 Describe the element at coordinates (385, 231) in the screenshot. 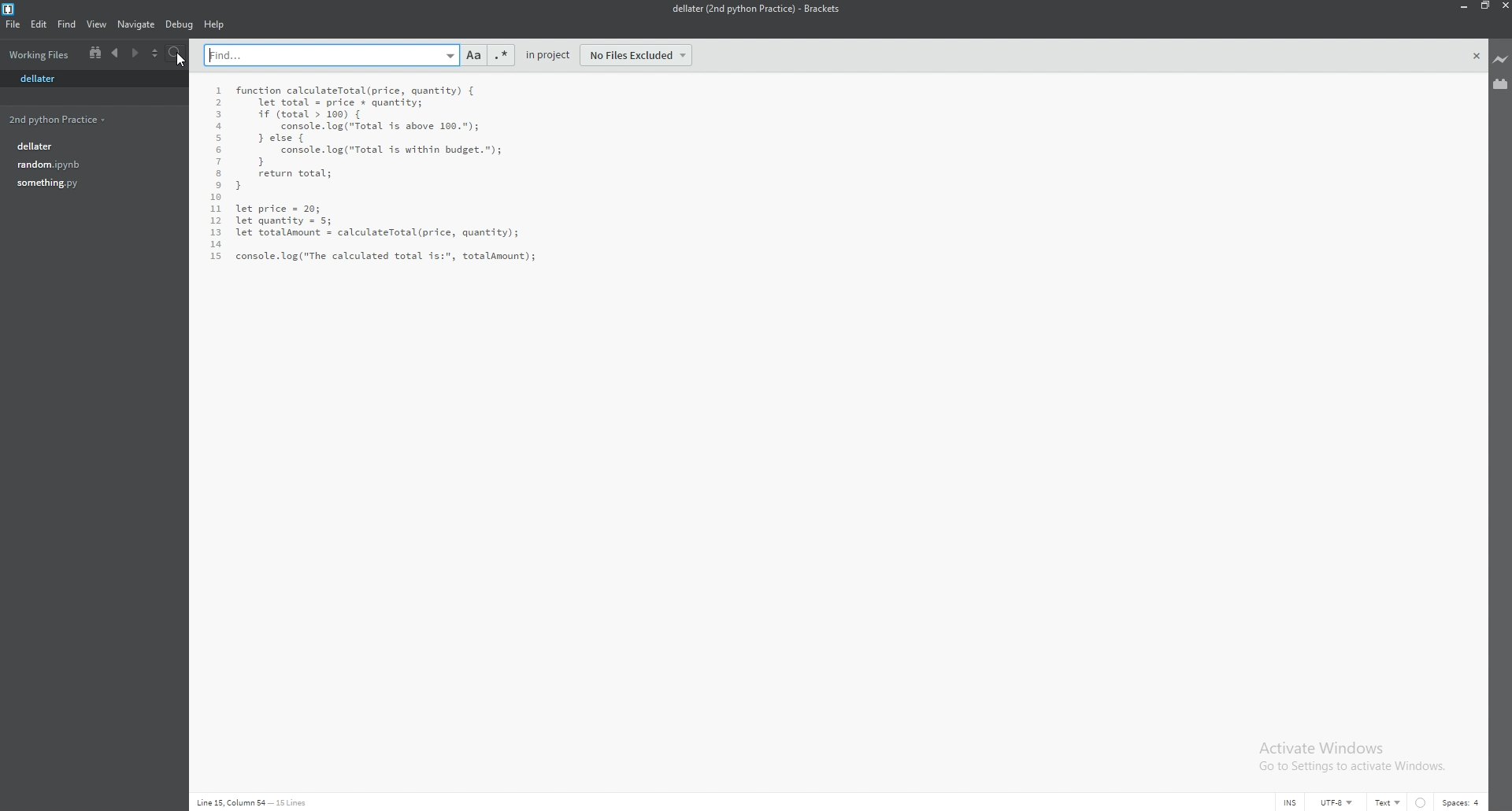

I see `let price = 20;let quantity = 5;let totalamount = calculateTotal(price, quantity);console. log("The calculated total is:", totalamount);` at that location.